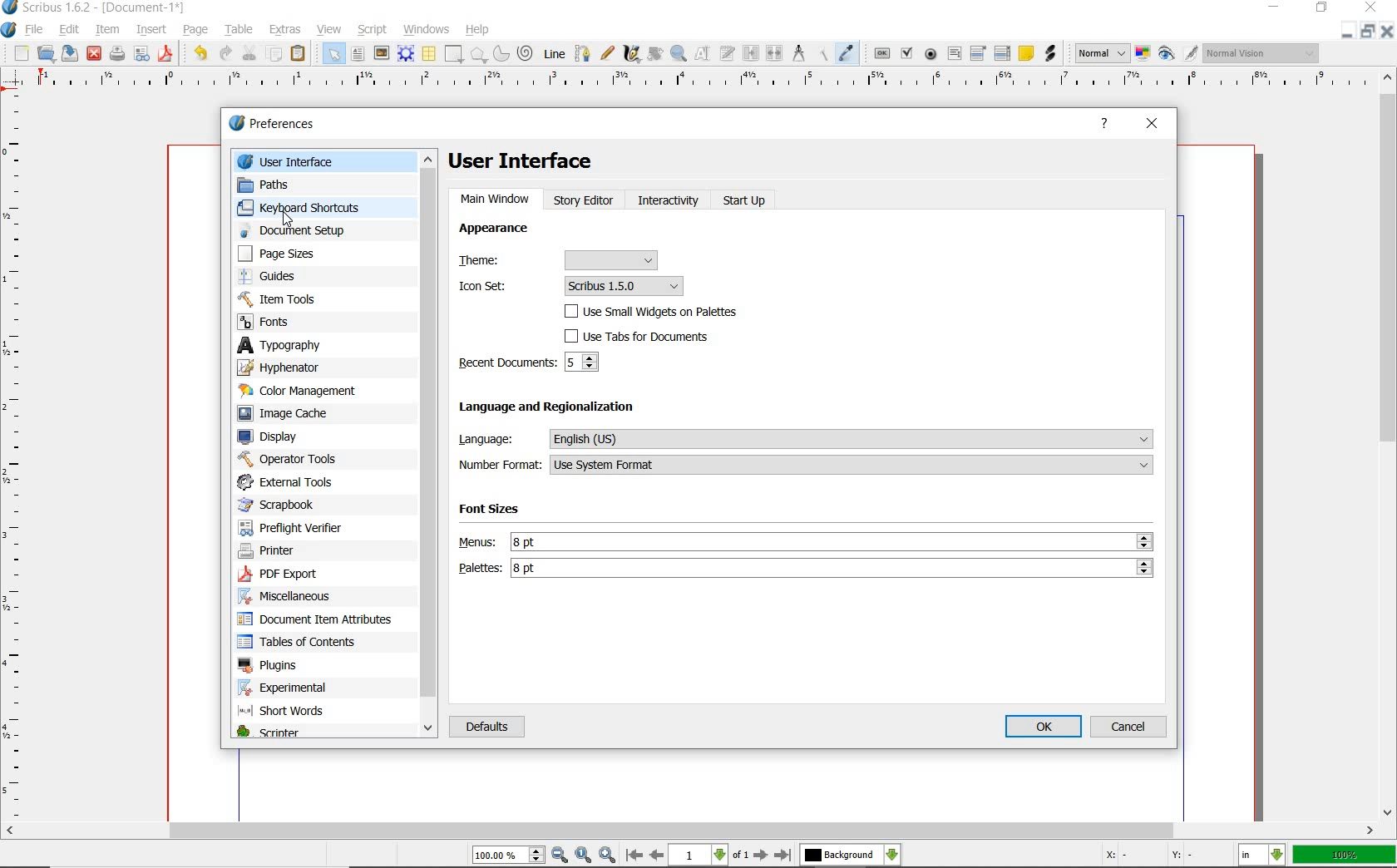  What do you see at coordinates (708, 856) in the screenshot?
I see `move to next or previous page` at bounding box center [708, 856].